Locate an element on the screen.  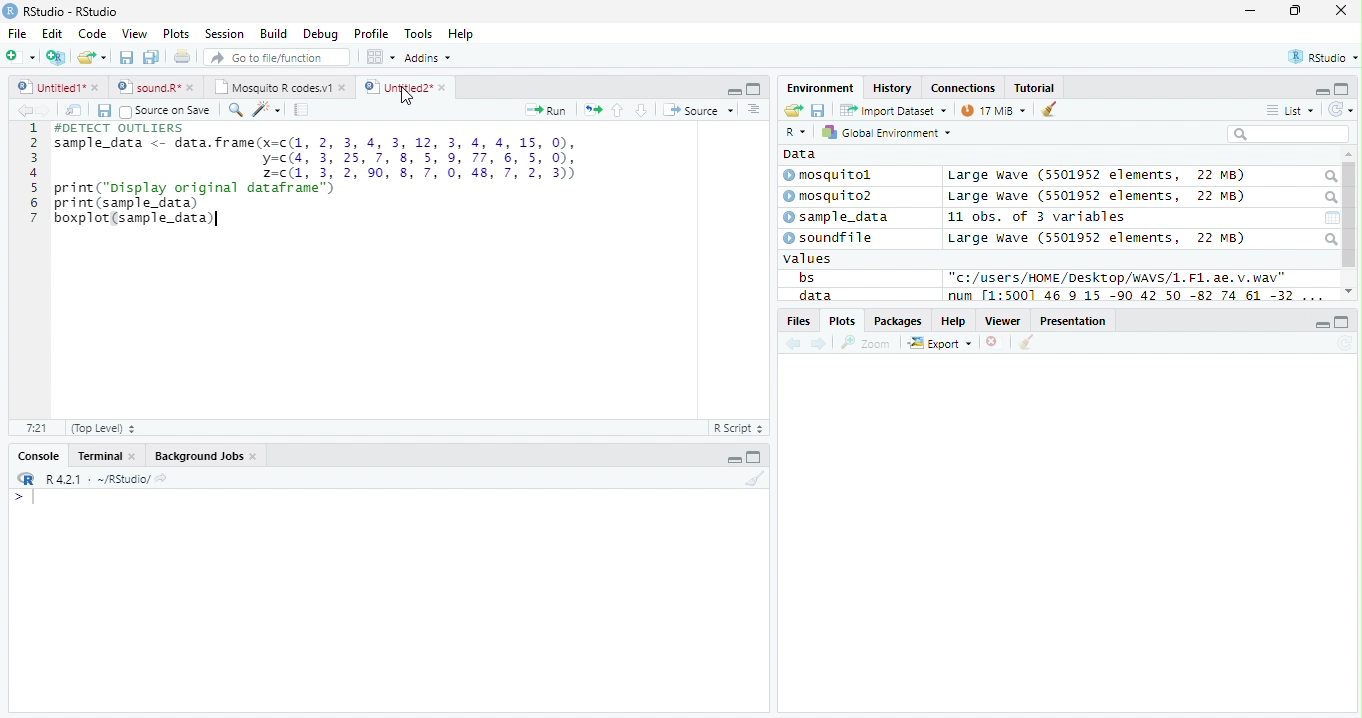
Large wave (5501952 elements, 22 MB) is located at coordinates (1096, 238).